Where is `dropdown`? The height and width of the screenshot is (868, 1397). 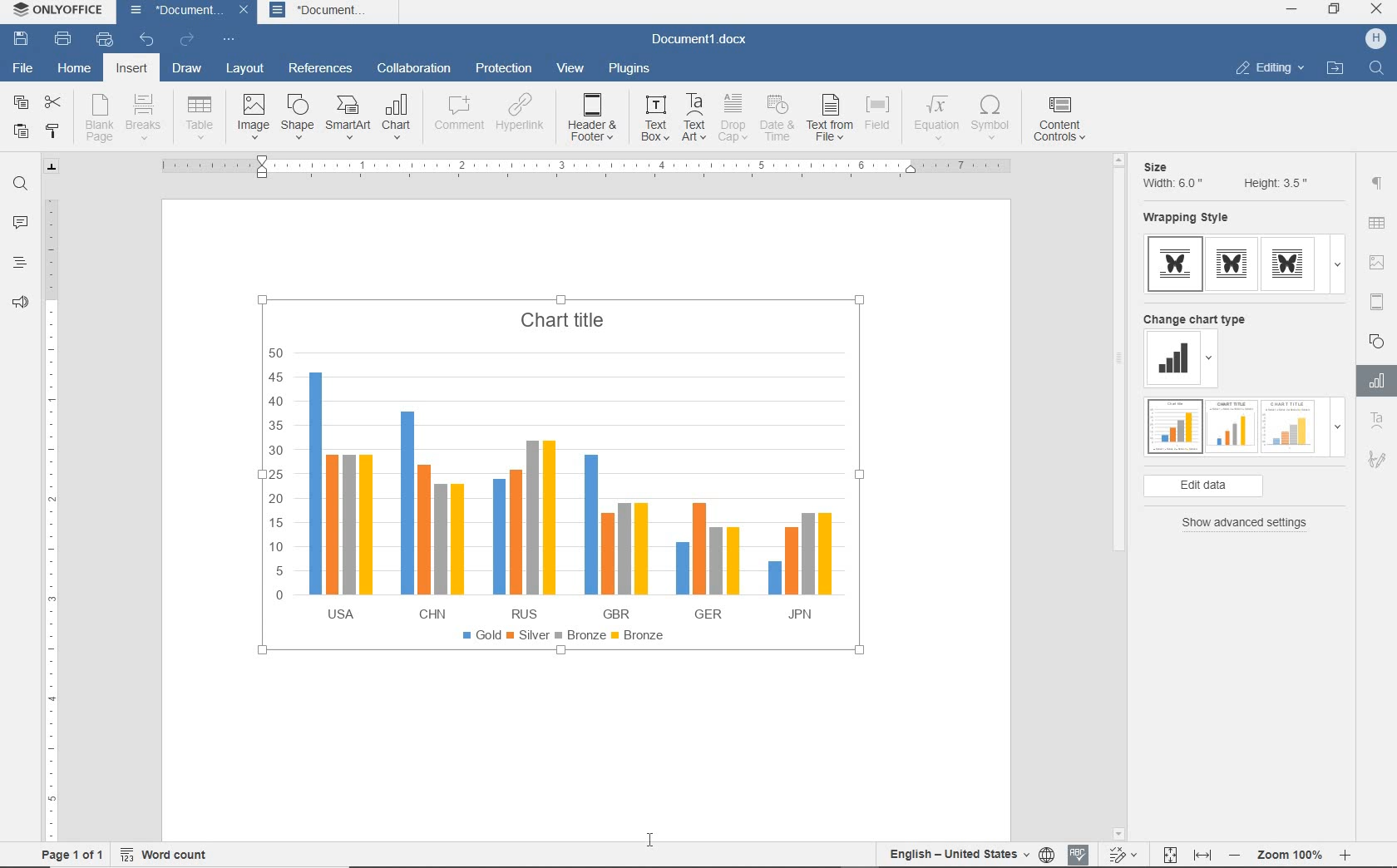 dropdown is located at coordinates (1212, 361).